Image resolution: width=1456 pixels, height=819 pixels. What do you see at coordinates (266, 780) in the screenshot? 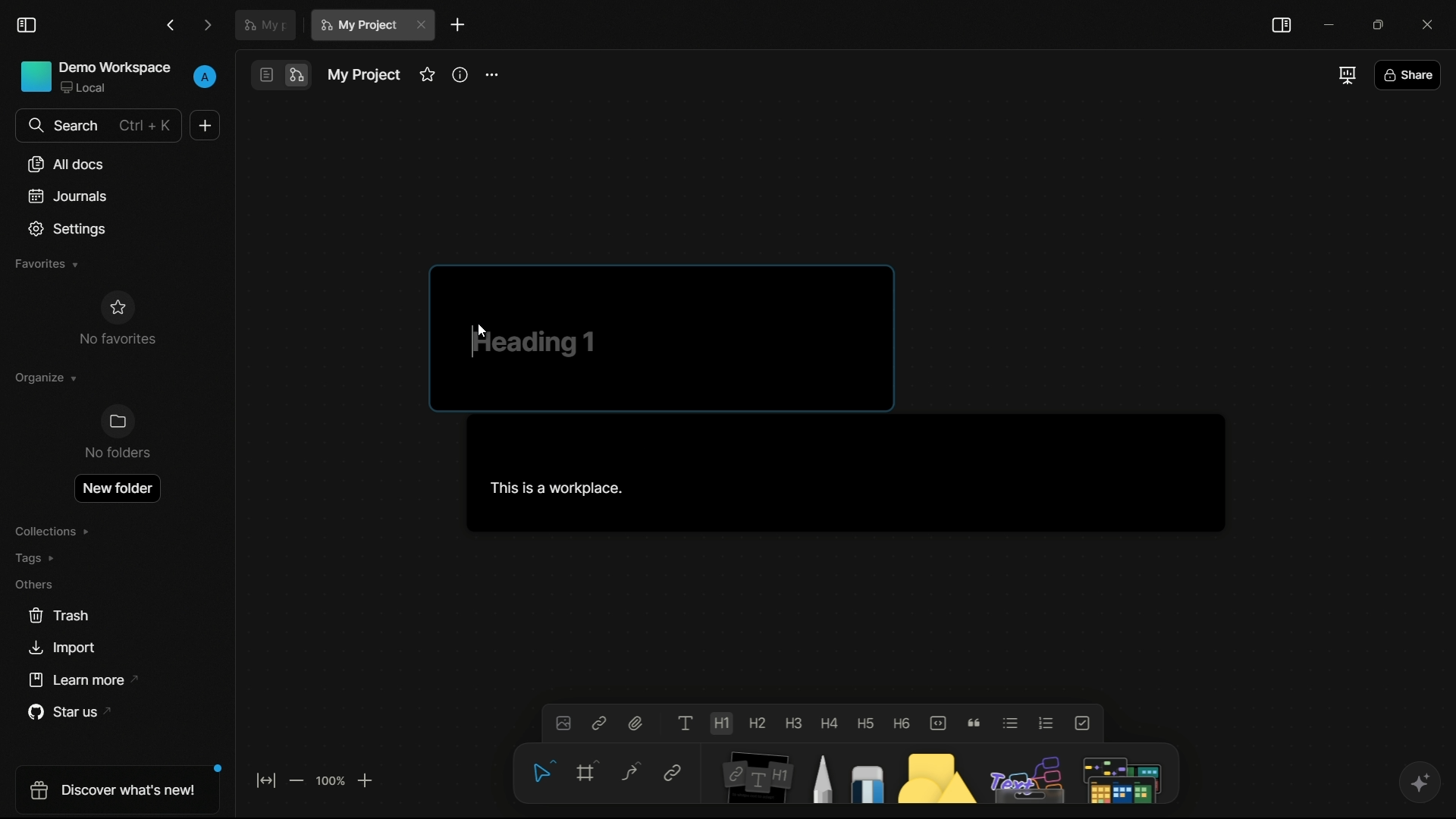
I see `fit to screen` at bounding box center [266, 780].